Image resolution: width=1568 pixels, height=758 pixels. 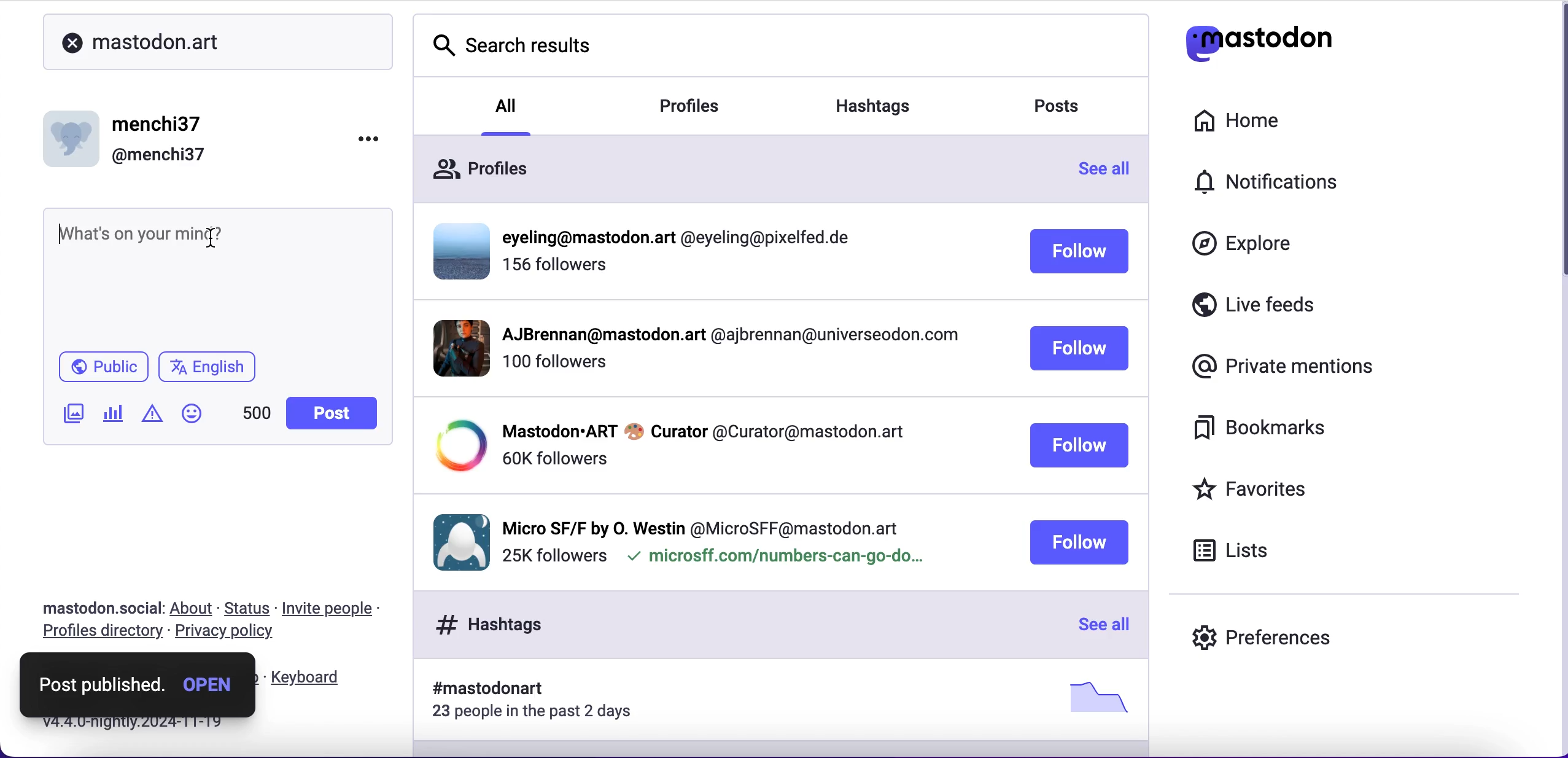 I want to click on posts, so click(x=1068, y=109).